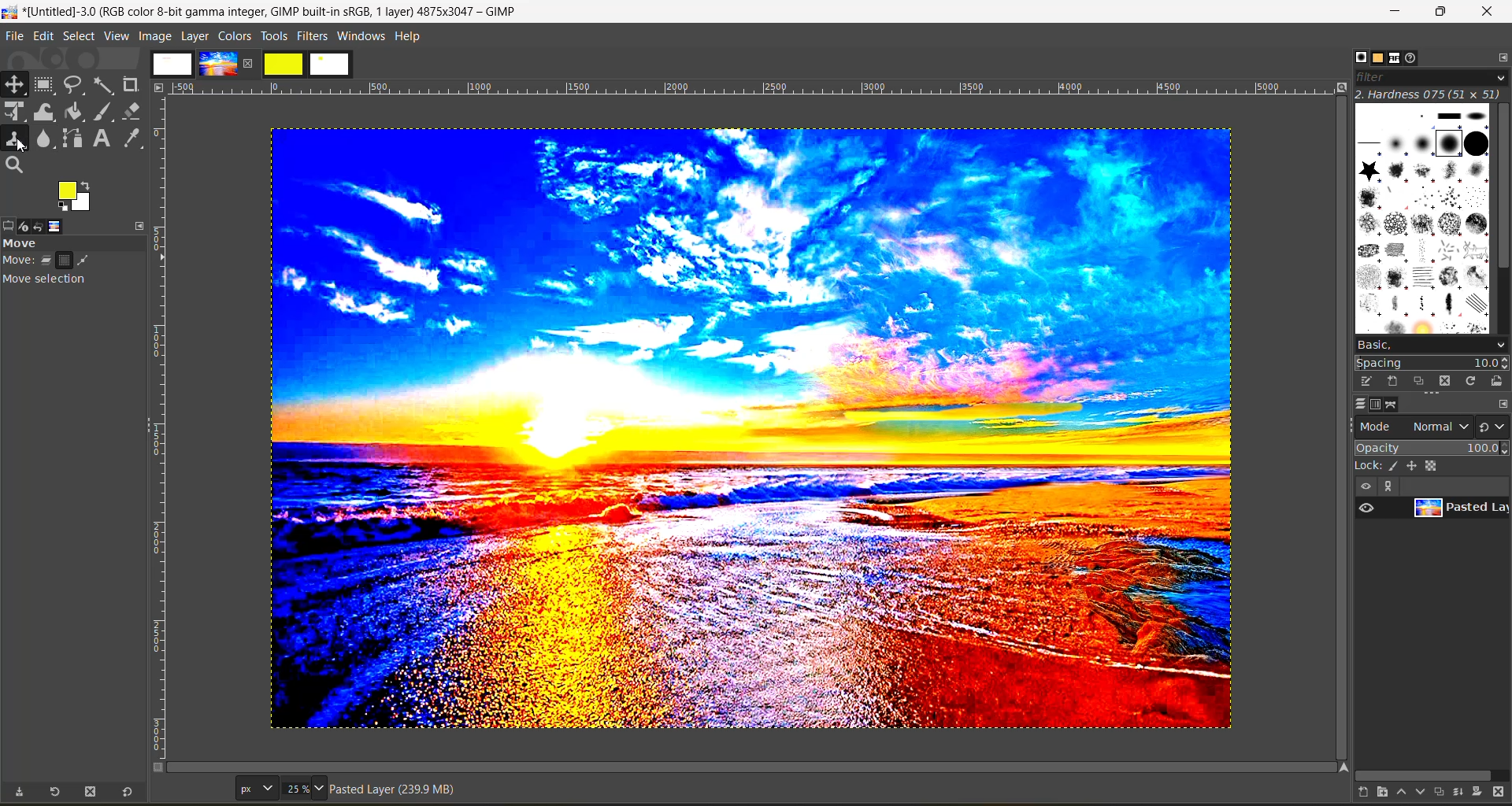 This screenshot has height=806, width=1512. I want to click on undo, so click(48, 225).